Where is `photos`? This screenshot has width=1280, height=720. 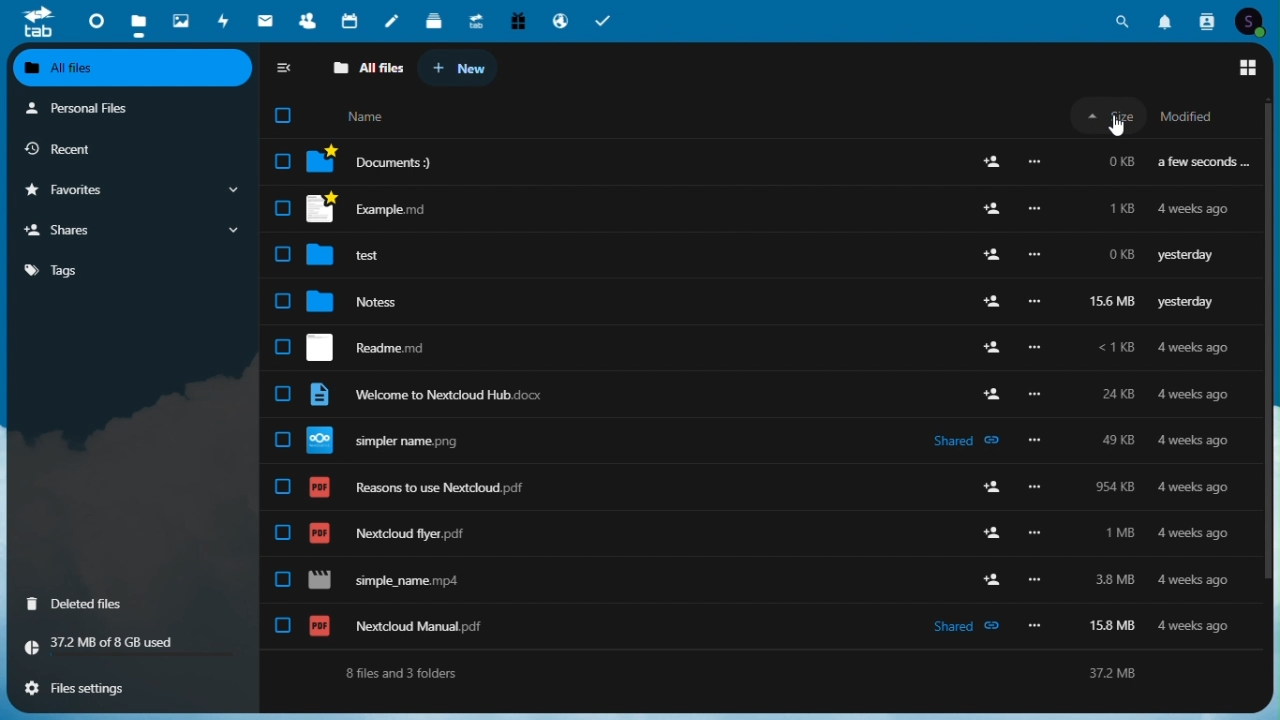
photos is located at coordinates (179, 20).